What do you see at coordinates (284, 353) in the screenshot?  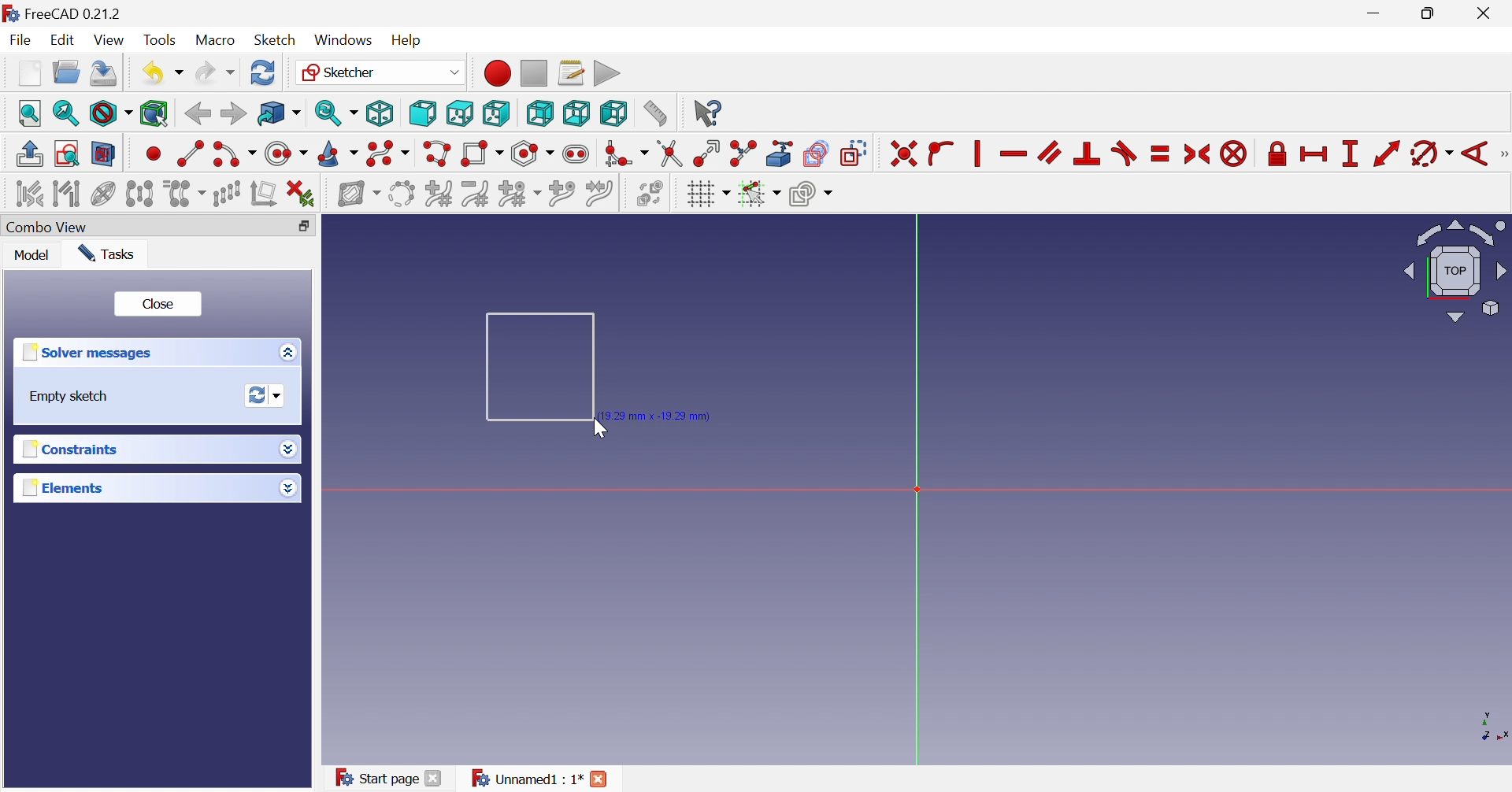 I see `Options` at bounding box center [284, 353].